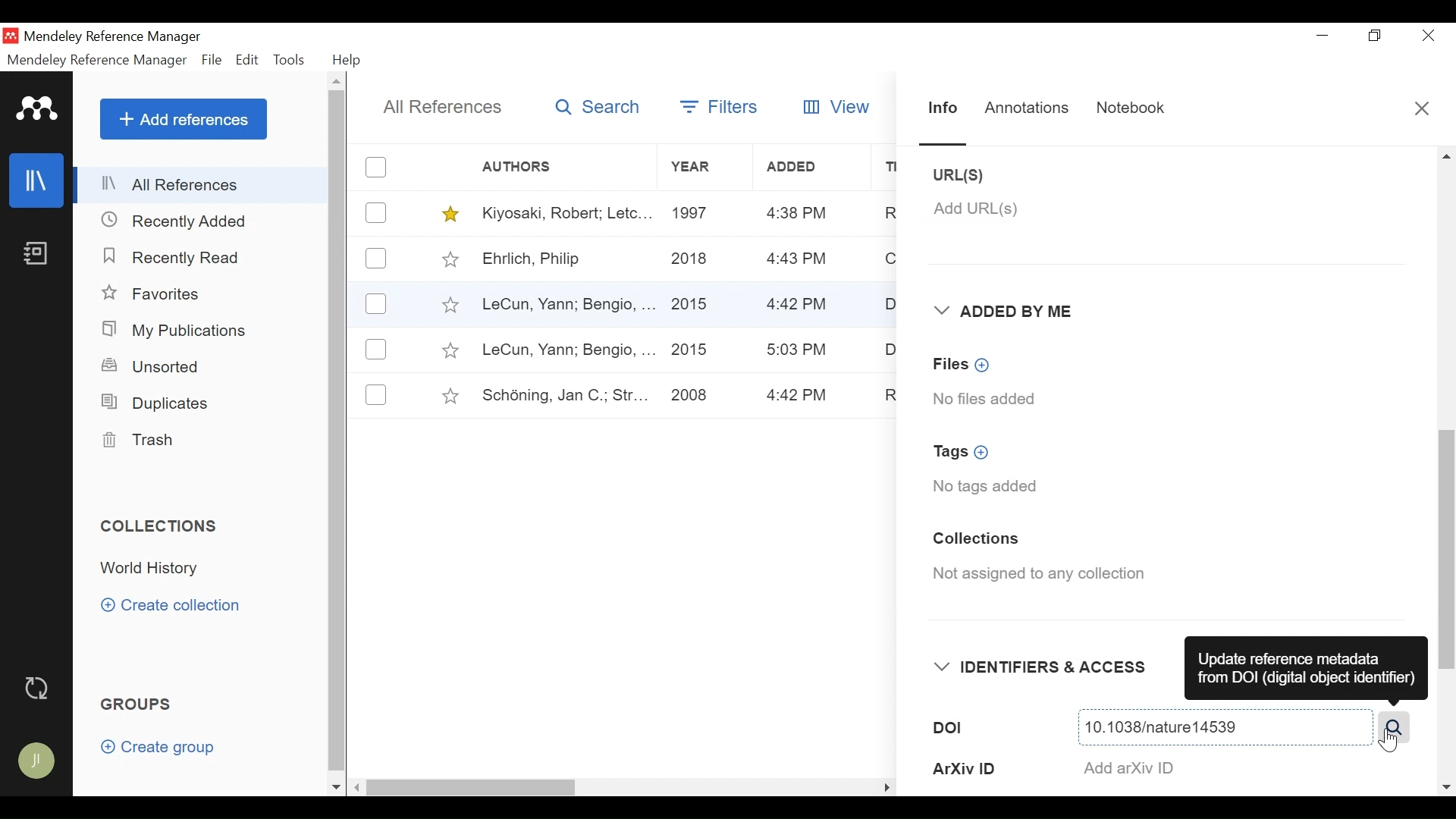 The height and width of the screenshot is (819, 1456). What do you see at coordinates (174, 257) in the screenshot?
I see `Recently Read` at bounding box center [174, 257].